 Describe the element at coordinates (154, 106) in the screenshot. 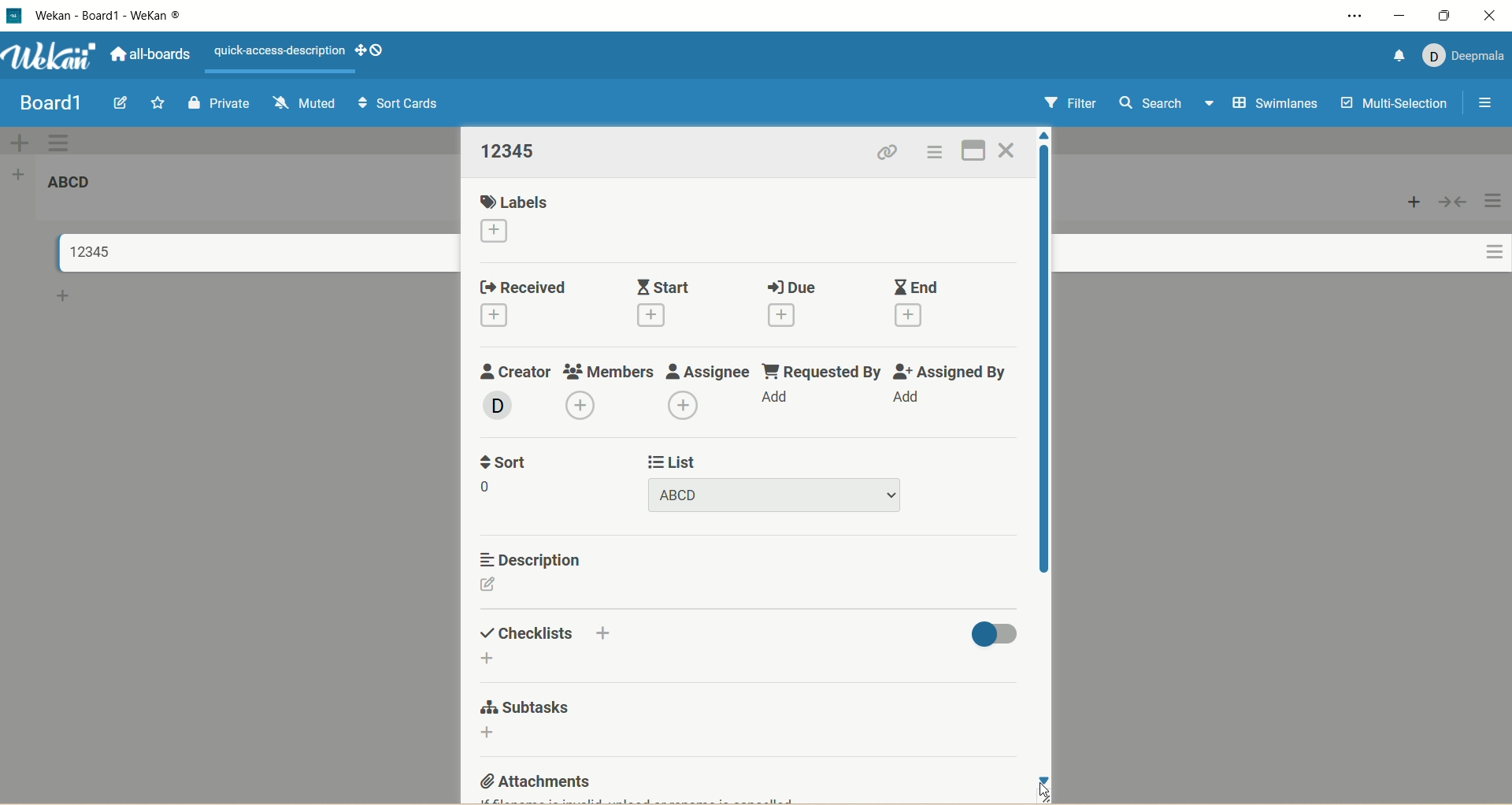

I see `favorite` at that location.